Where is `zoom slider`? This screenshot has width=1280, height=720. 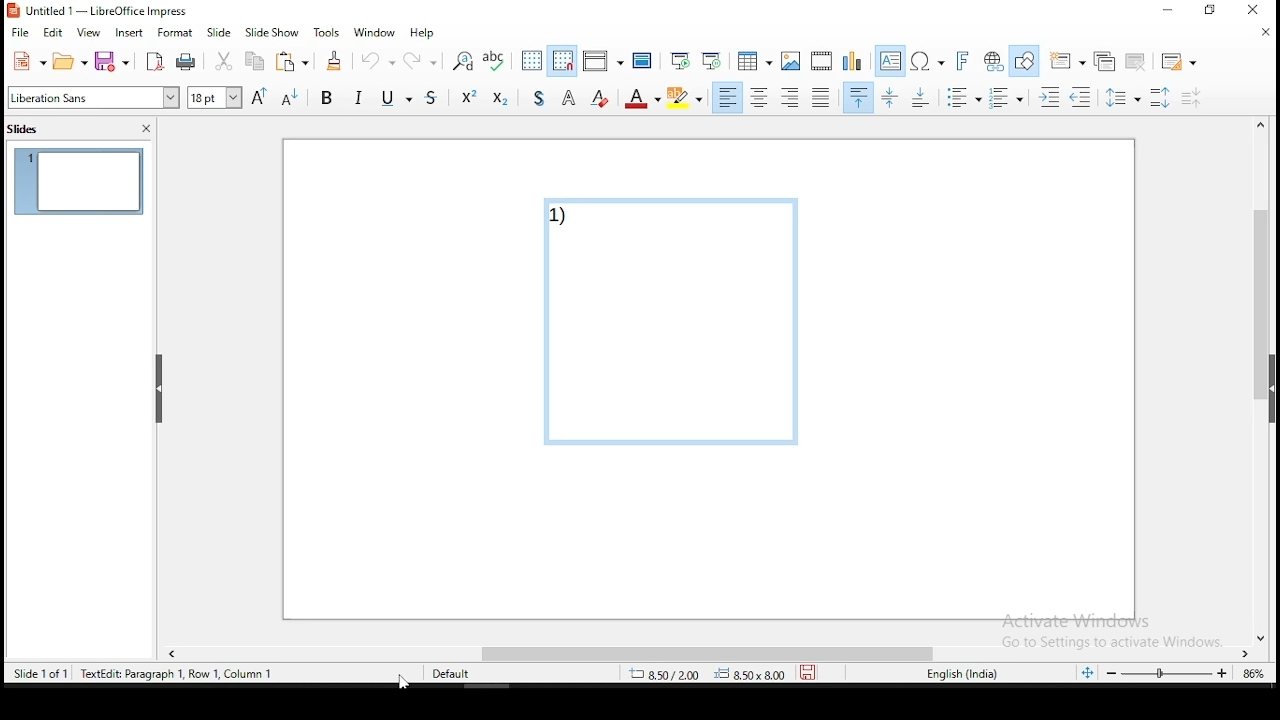
zoom slider is located at coordinates (1167, 673).